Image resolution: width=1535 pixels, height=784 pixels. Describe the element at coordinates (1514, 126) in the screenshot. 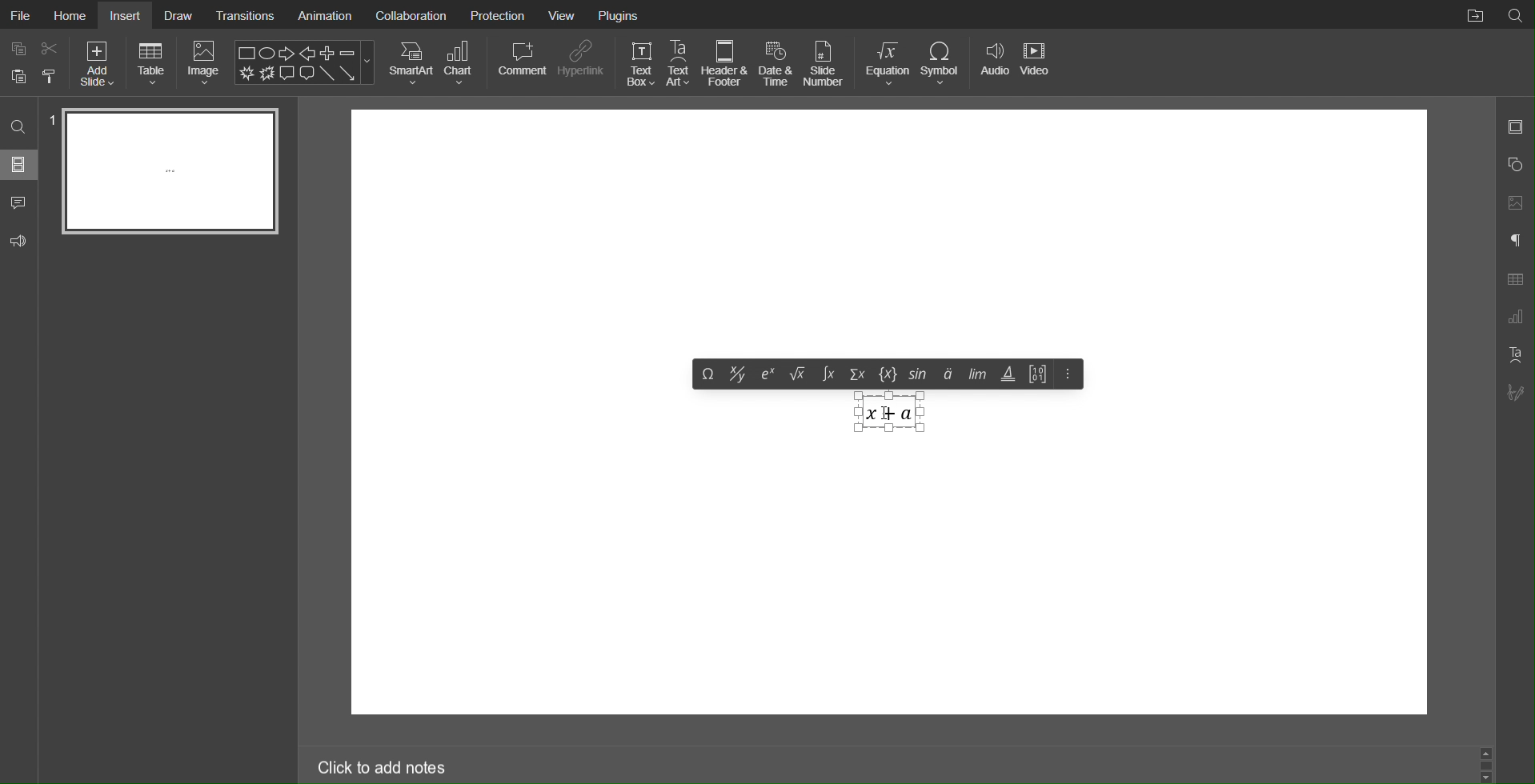

I see `Slide Settings` at that location.